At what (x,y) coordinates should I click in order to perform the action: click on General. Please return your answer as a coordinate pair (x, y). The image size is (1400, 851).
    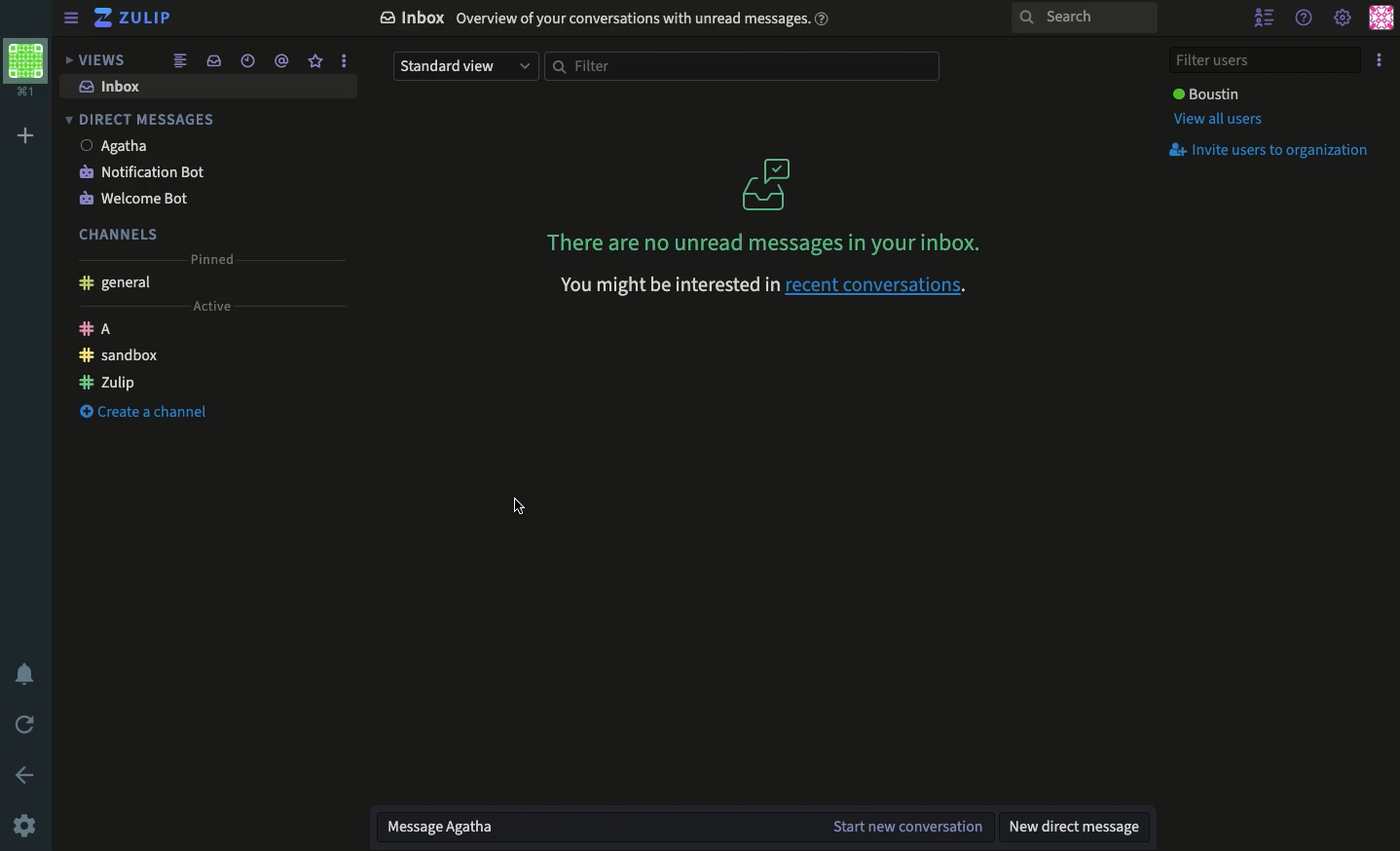
    Looking at the image, I should click on (116, 284).